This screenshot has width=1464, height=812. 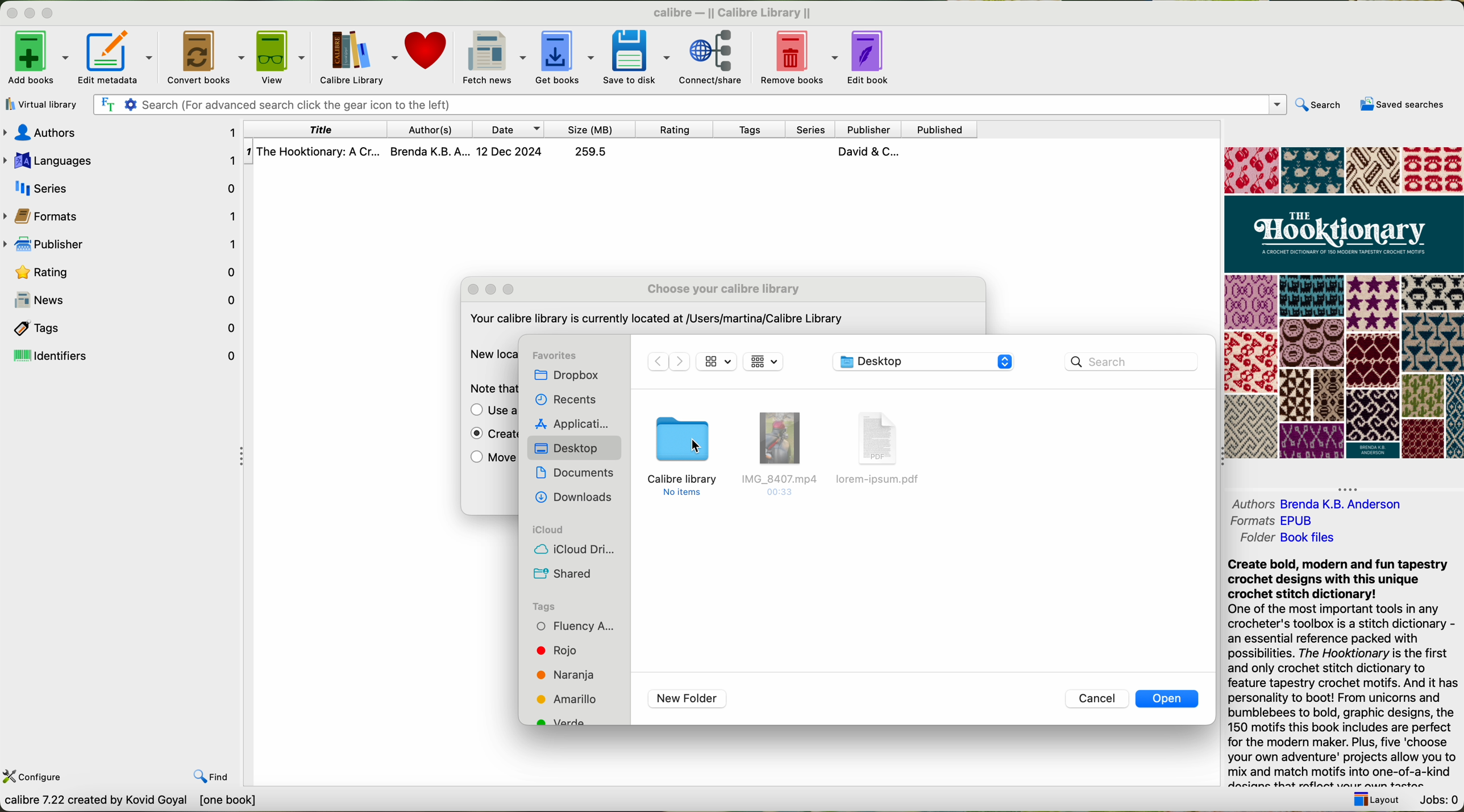 What do you see at coordinates (116, 57) in the screenshot?
I see `edit metadata` at bounding box center [116, 57].